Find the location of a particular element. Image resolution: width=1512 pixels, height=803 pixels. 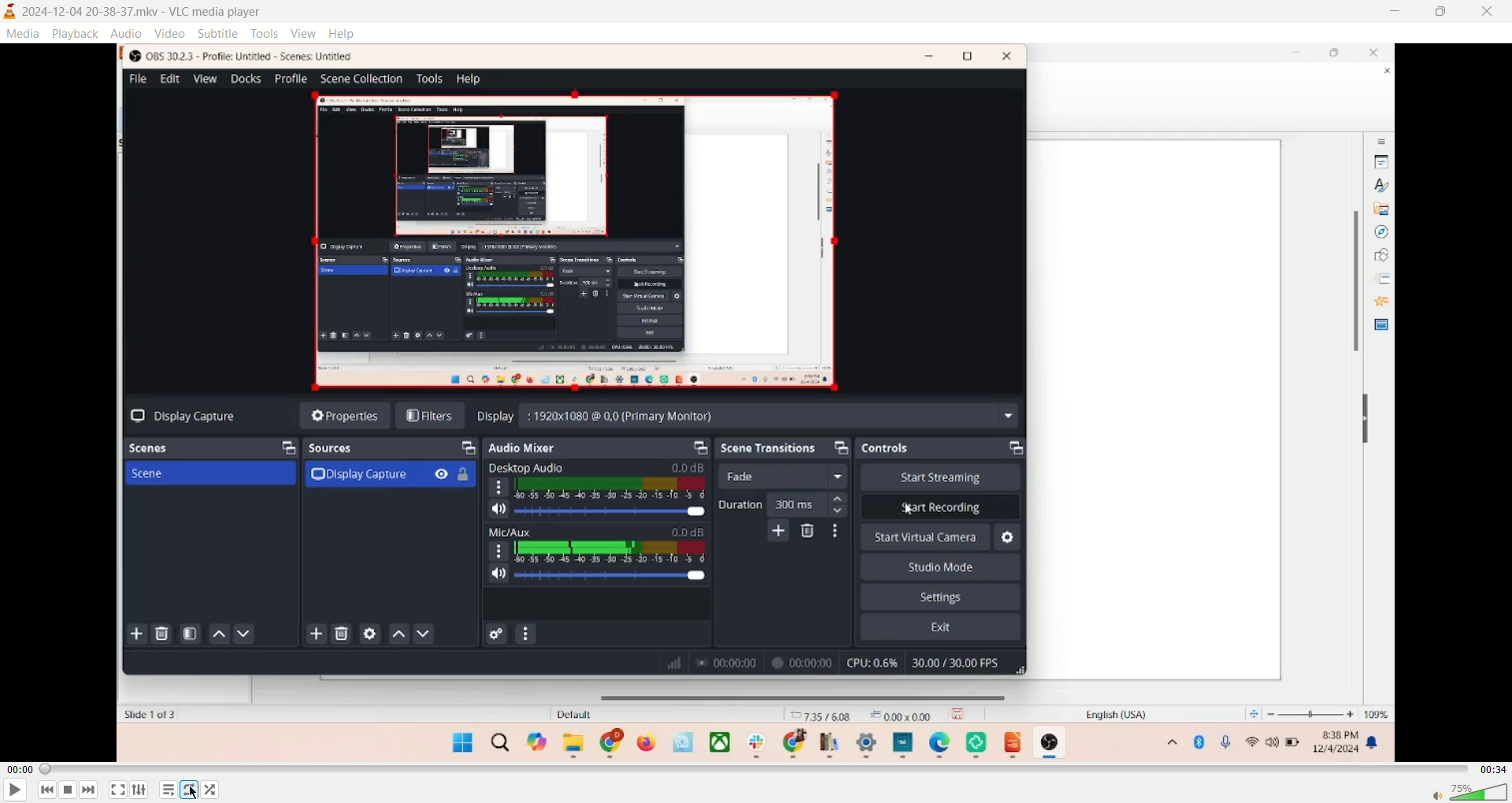

view is located at coordinates (304, 33).